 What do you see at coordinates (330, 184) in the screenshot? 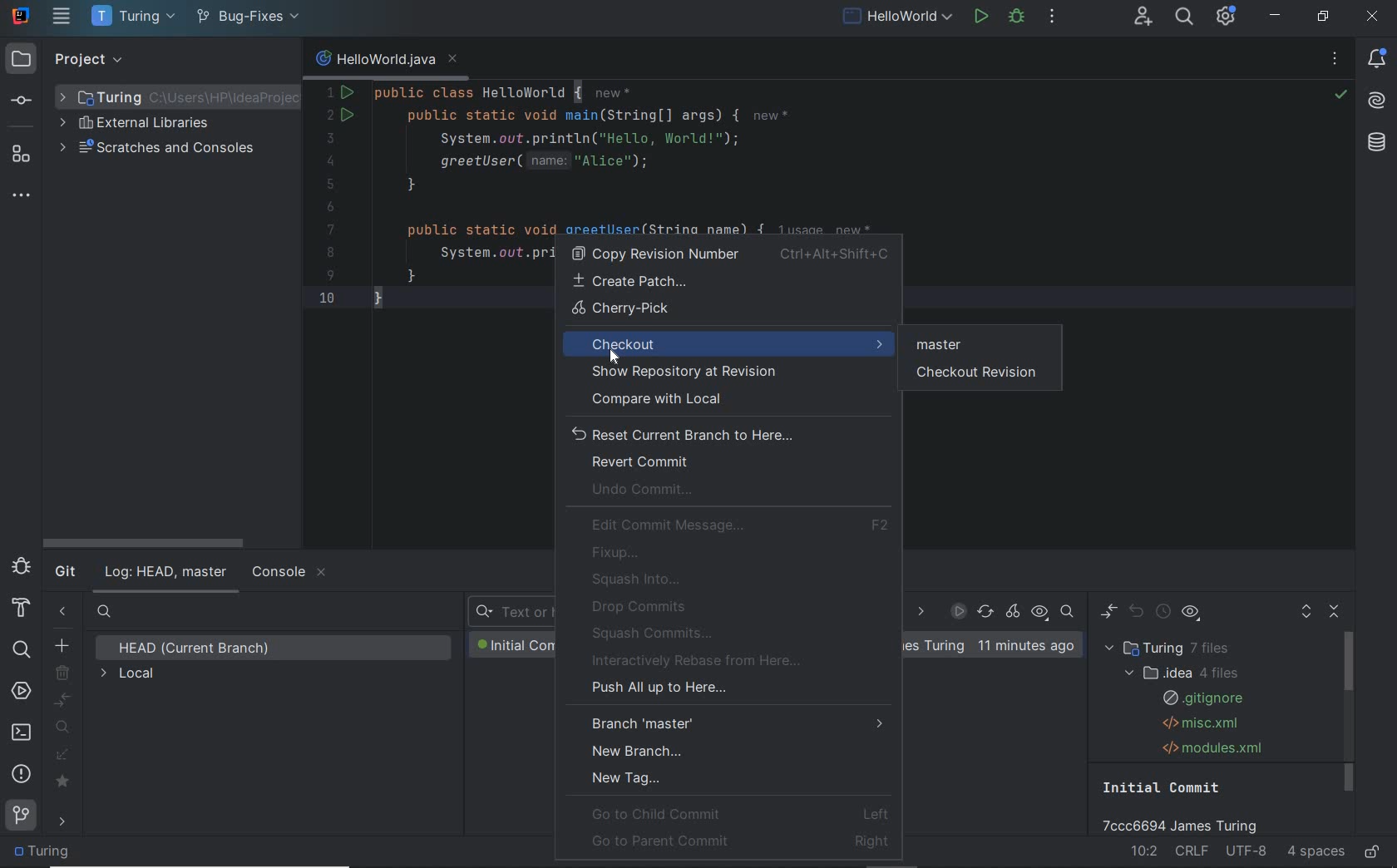
I see `5` at bounding box center [330, 184].